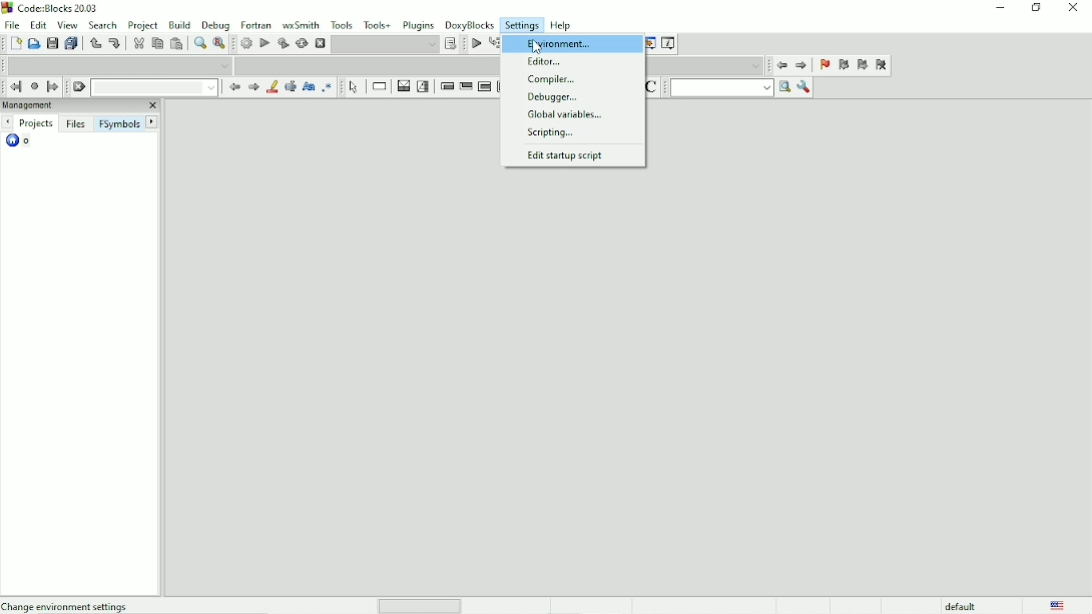 Image resolution: width=1092 pixels, height=614 pixels. I want to click on Change environment settings, so click(68, 605).